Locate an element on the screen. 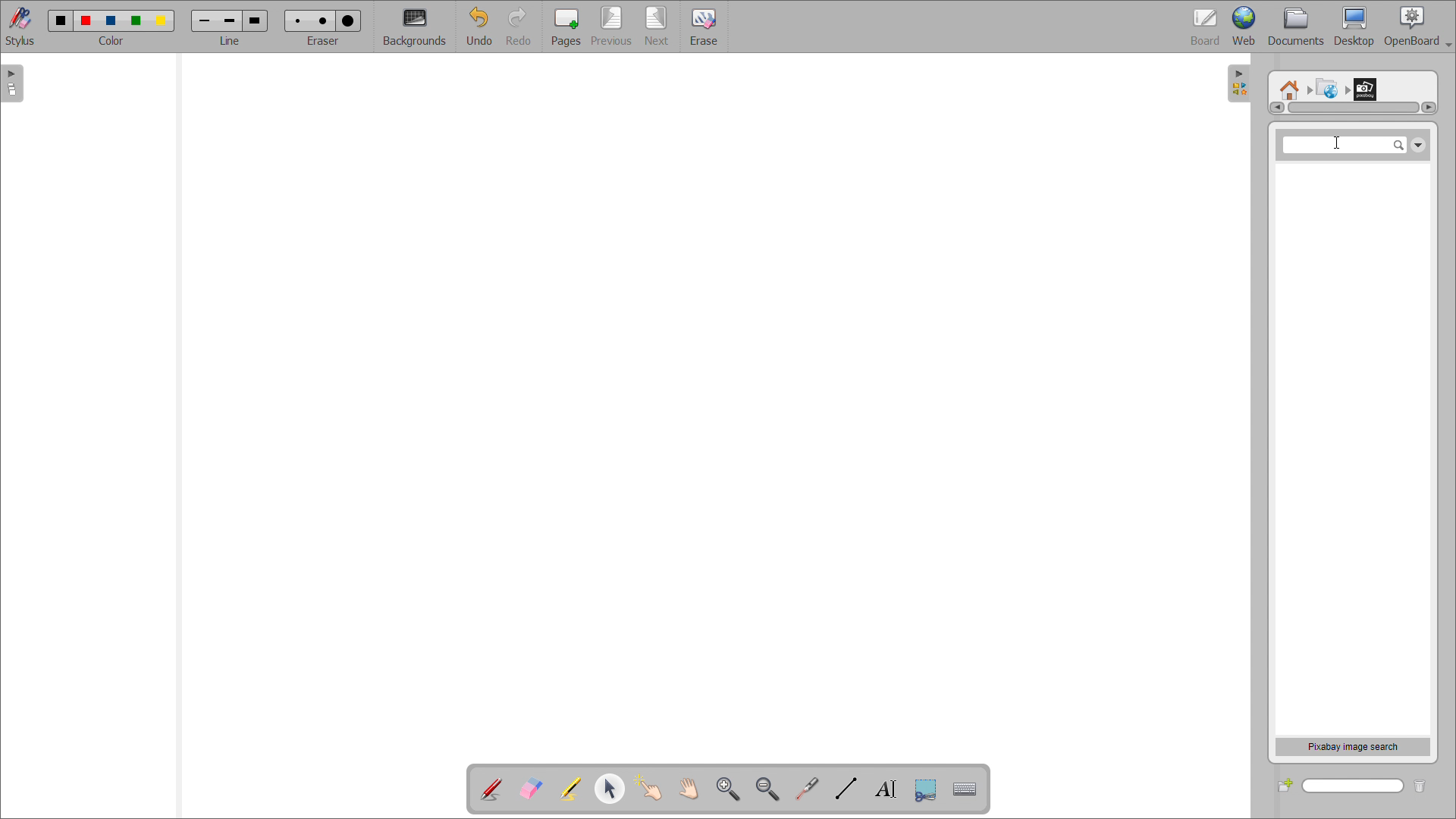 This screenshot has height=819, width=1456. pixabay image search is located at coordinates (1353, 746).